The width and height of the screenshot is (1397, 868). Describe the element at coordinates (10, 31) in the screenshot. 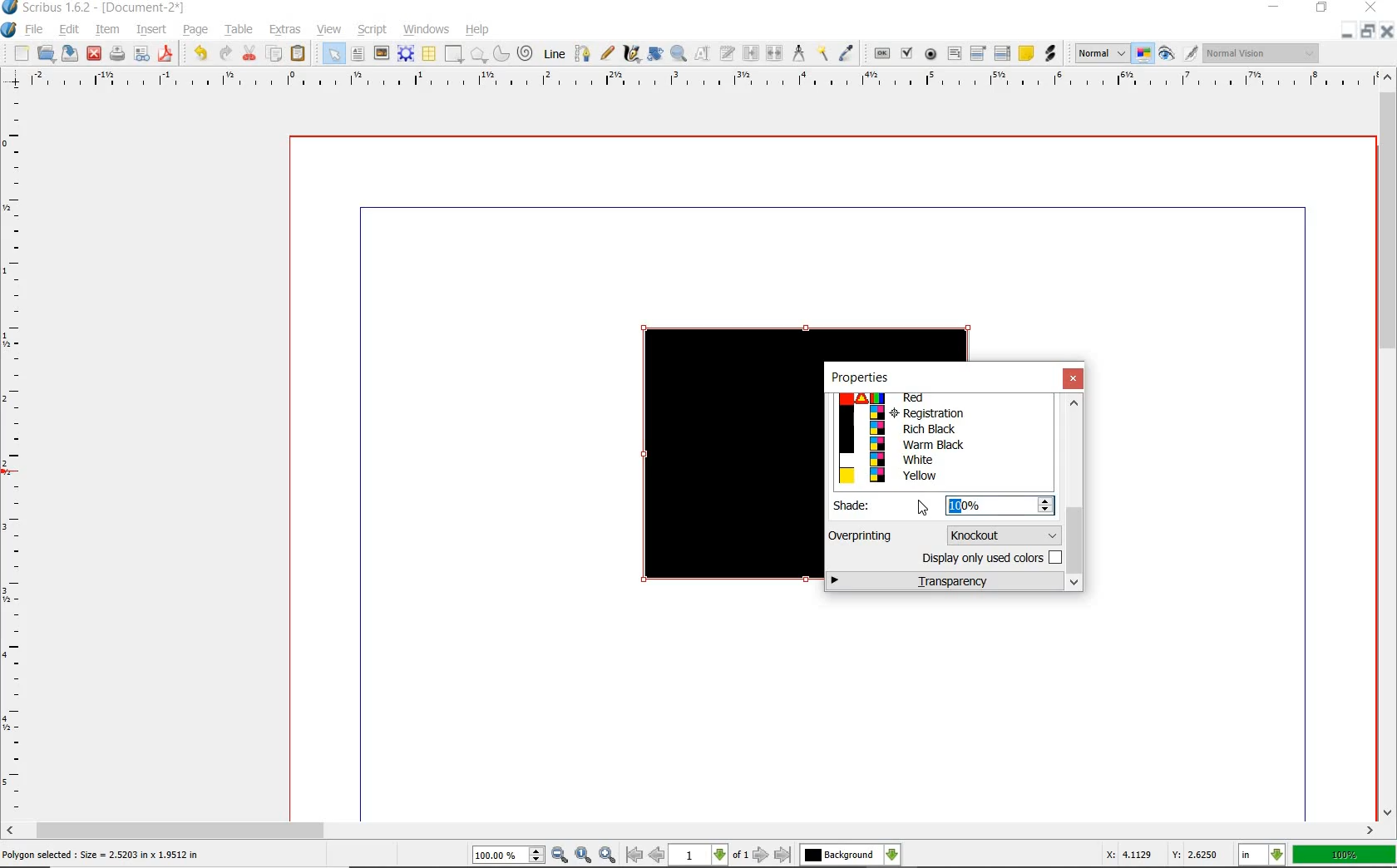

I see `system logo` at that location.